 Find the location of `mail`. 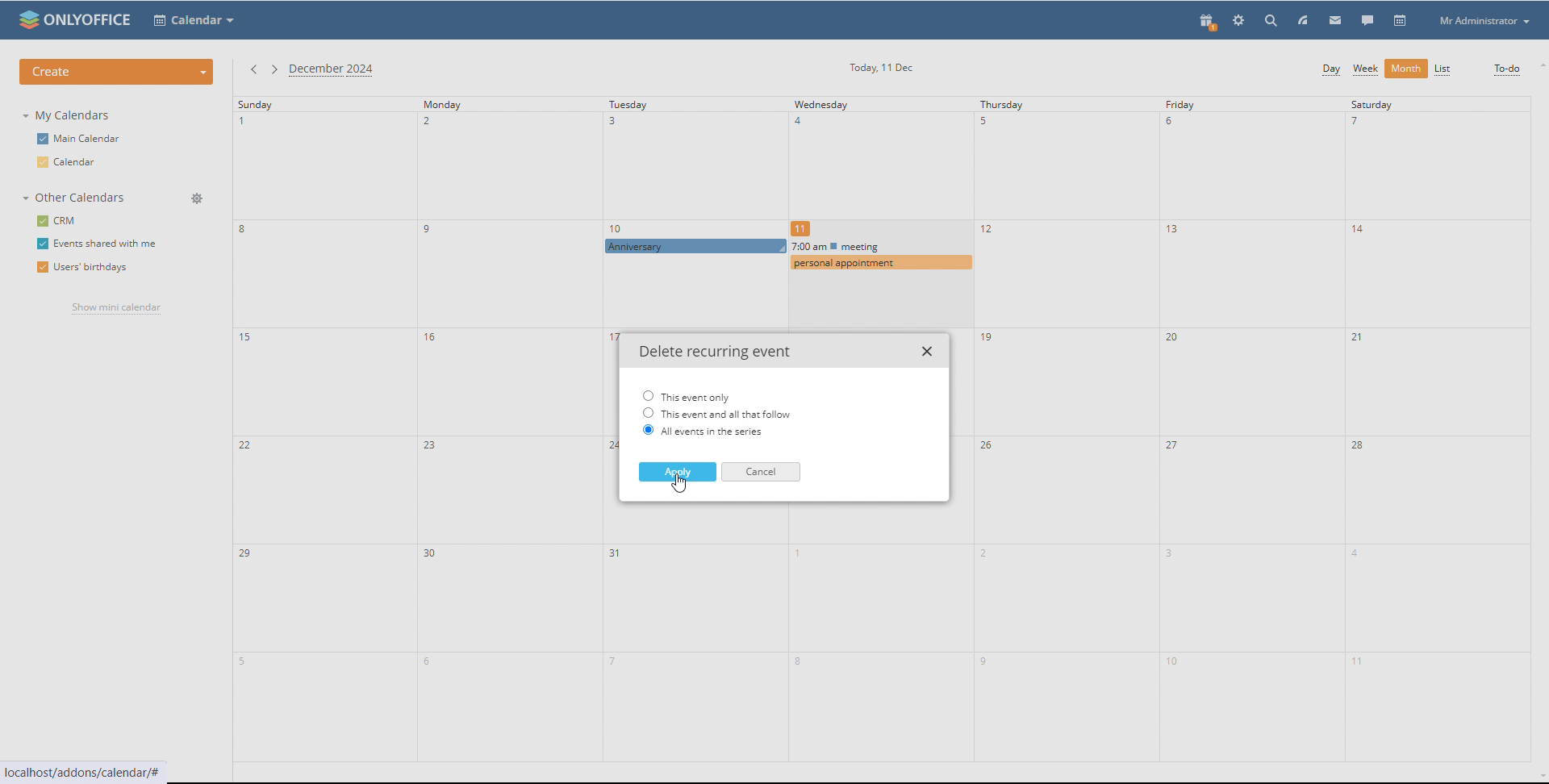

mail is located at coordinates (1336, 19).